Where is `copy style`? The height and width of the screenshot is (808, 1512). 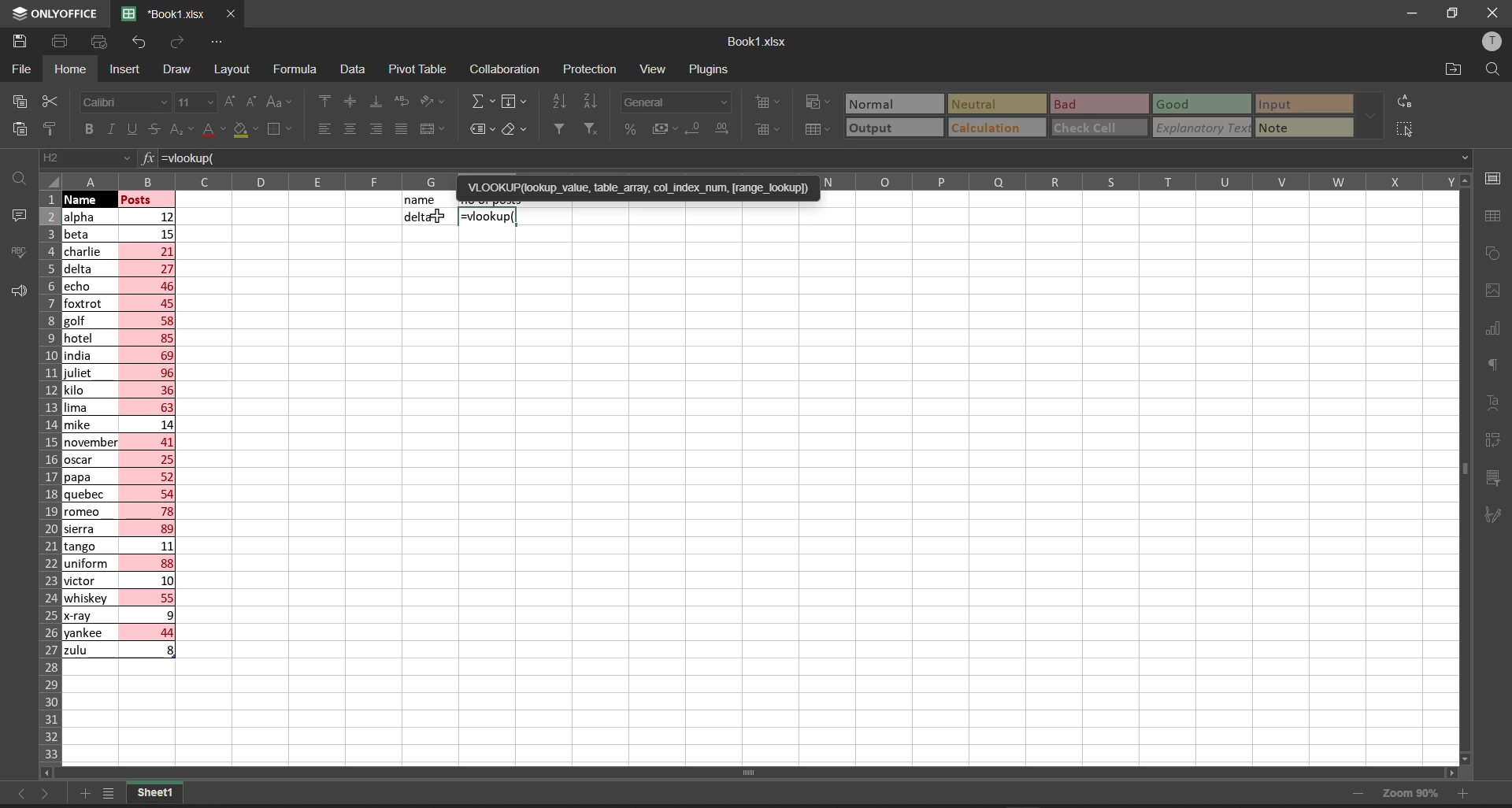
copy style is located at coordinates (55, 128).